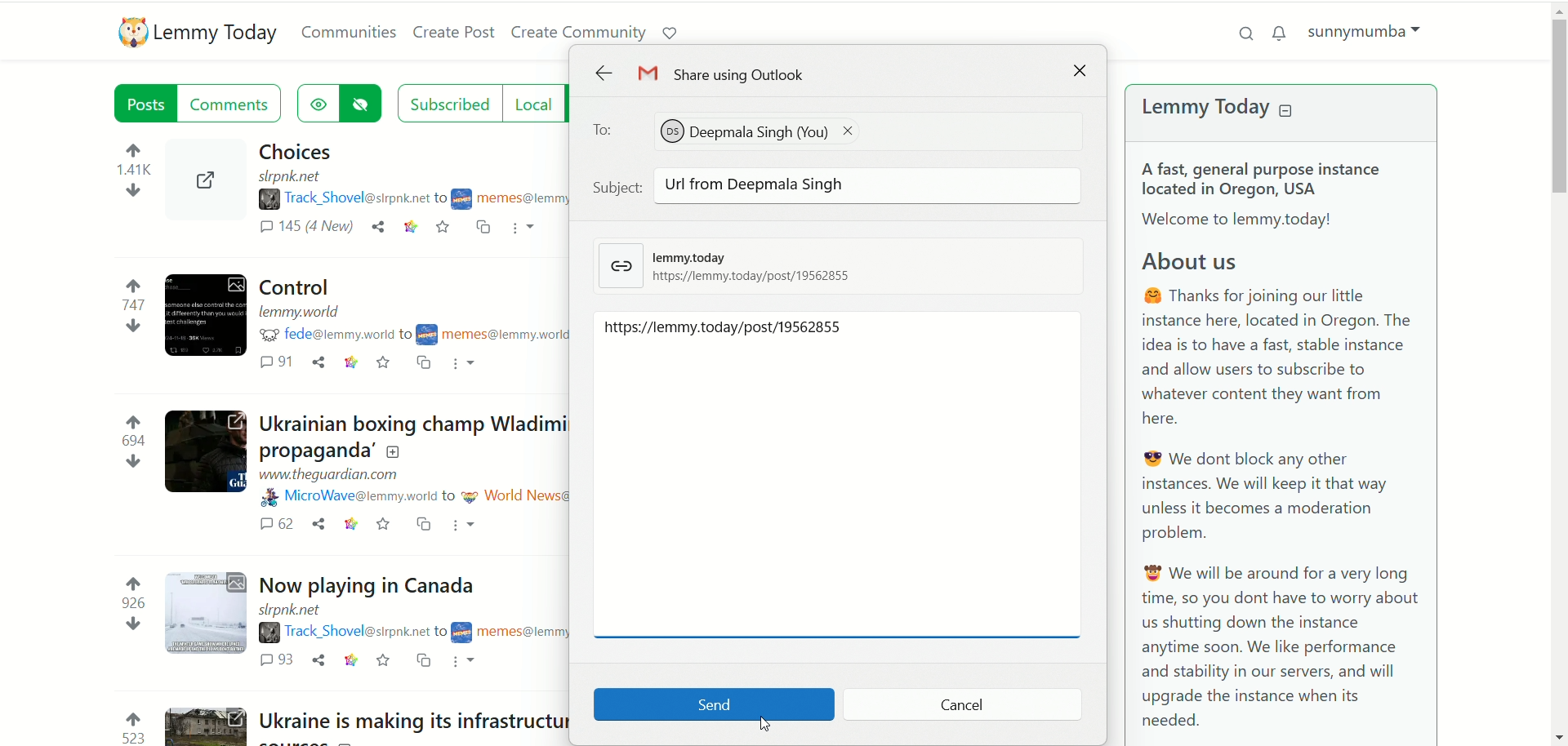 The image size is (1568, 746). I want to click on comments, so click(234, 102).